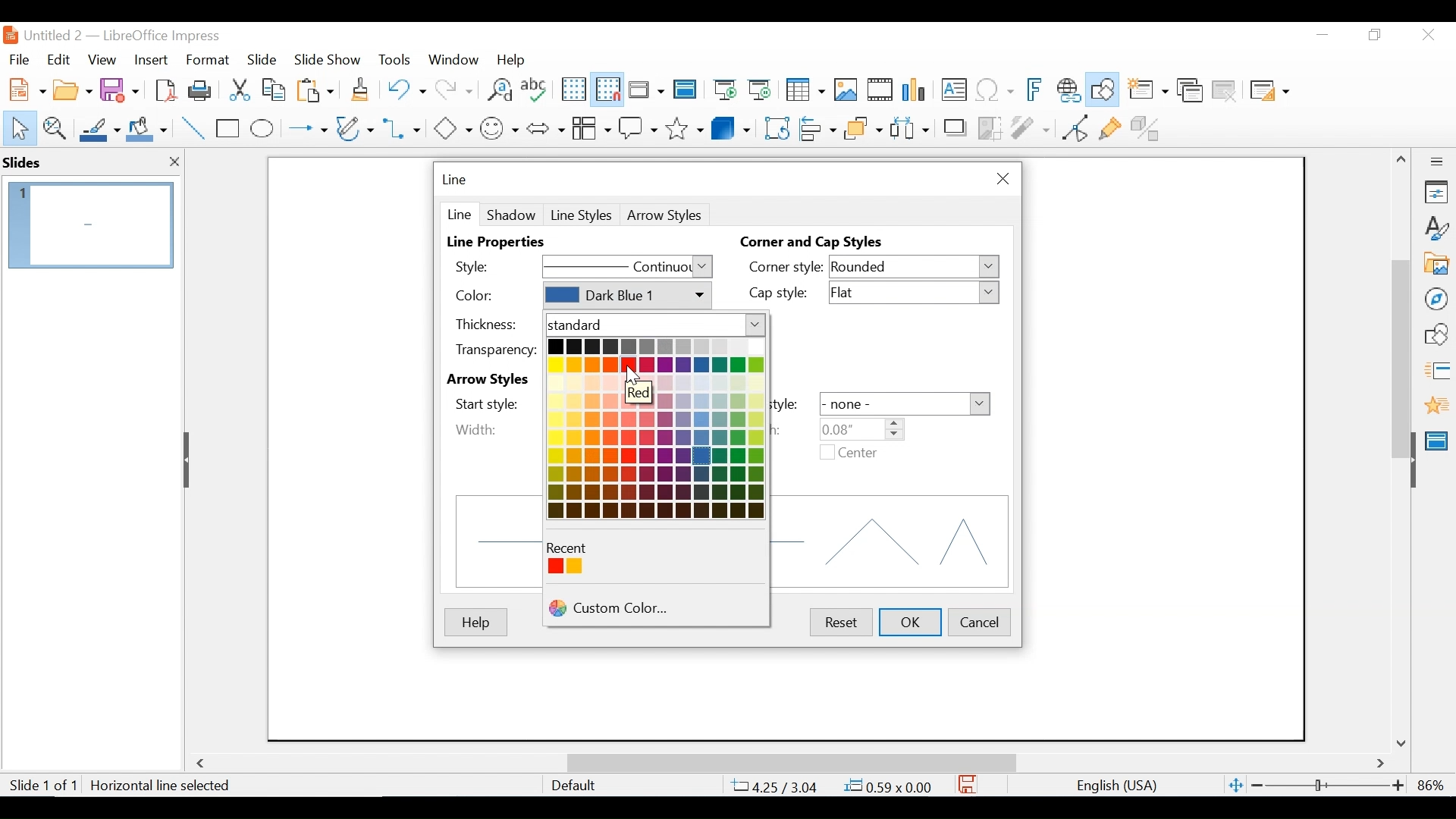  Describe the element at coordinates (1326, 786) in the screenshot. I see `Zoom Slider` at that location.